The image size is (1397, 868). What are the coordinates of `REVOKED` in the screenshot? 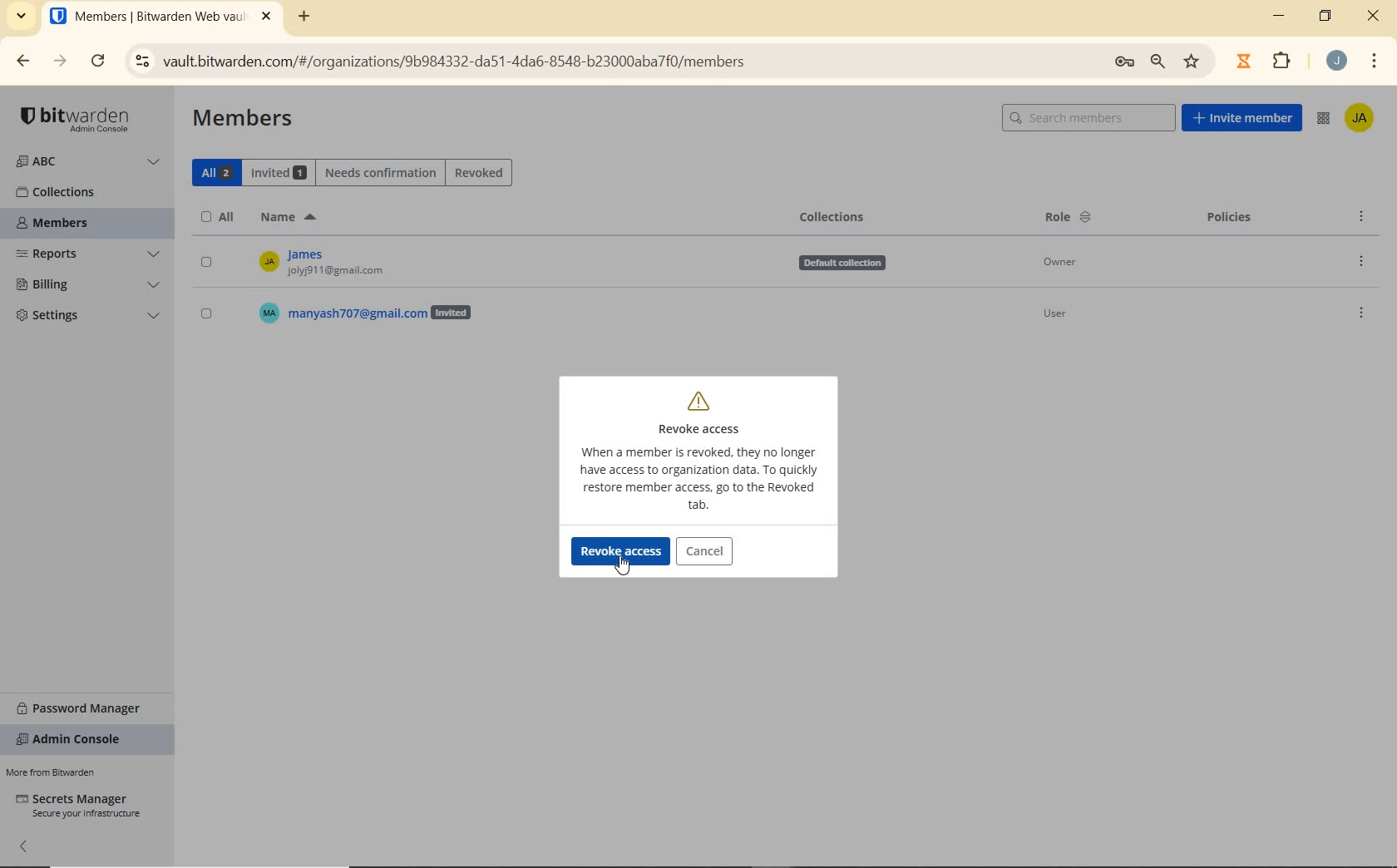 It's located at (479, 172).